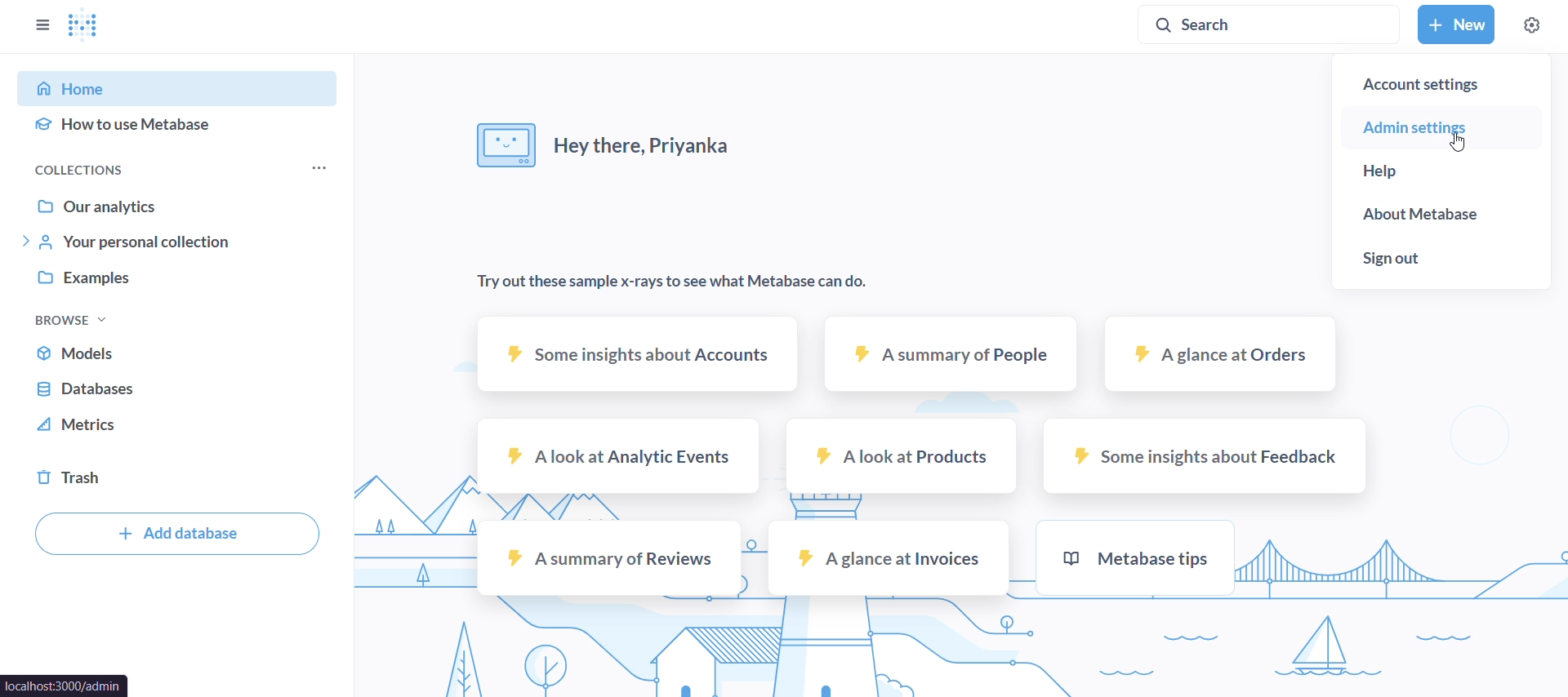 The image size is (1568, 697). What do you see at coordinates (903, 453) in the screenshot?
I see `a look at products` at bounding box center [903, 453].